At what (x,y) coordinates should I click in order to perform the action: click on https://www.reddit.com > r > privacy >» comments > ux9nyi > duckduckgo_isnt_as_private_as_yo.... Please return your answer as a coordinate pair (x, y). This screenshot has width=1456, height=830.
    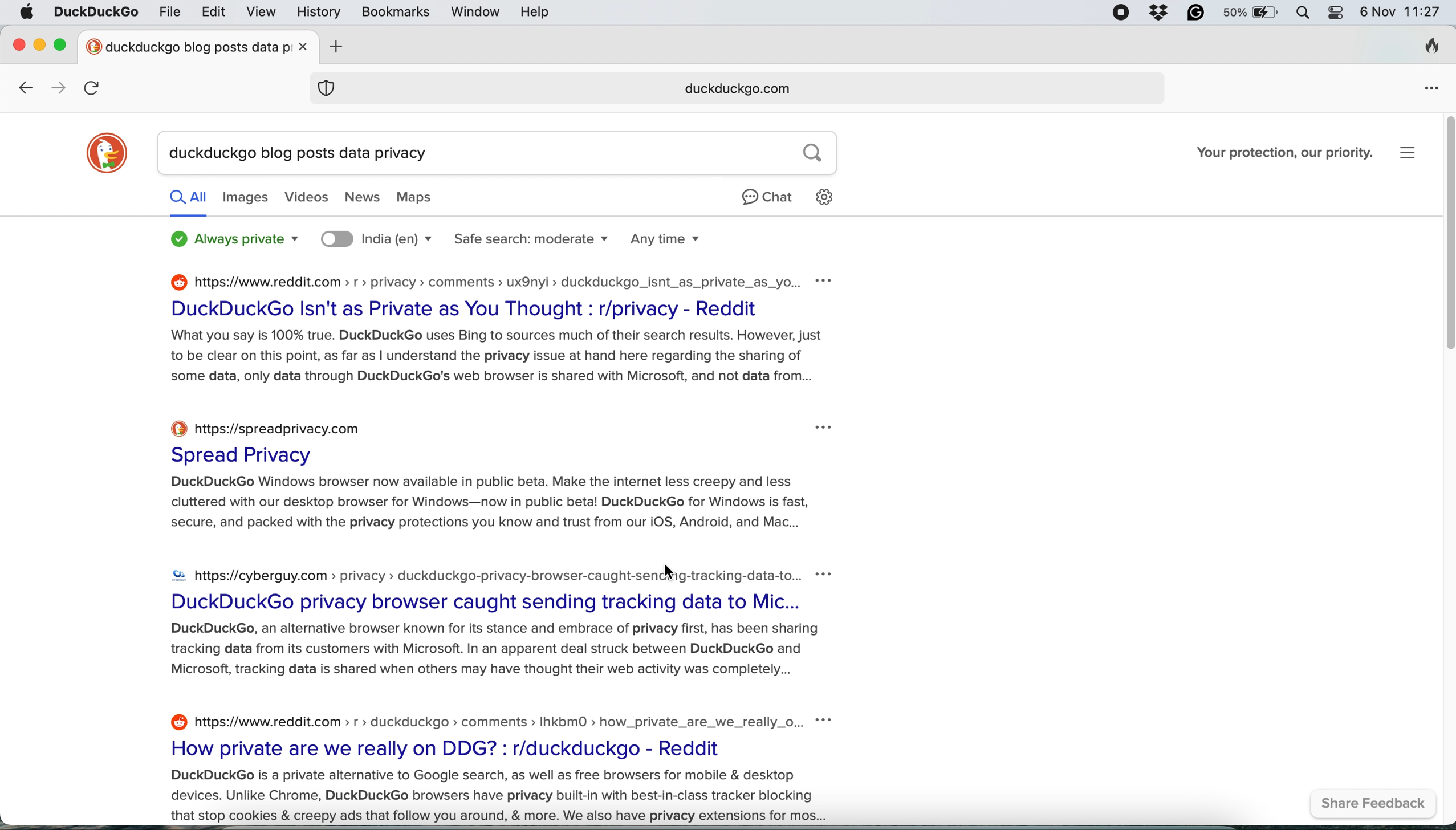
    Looking at the image, I should click on (473, 280).